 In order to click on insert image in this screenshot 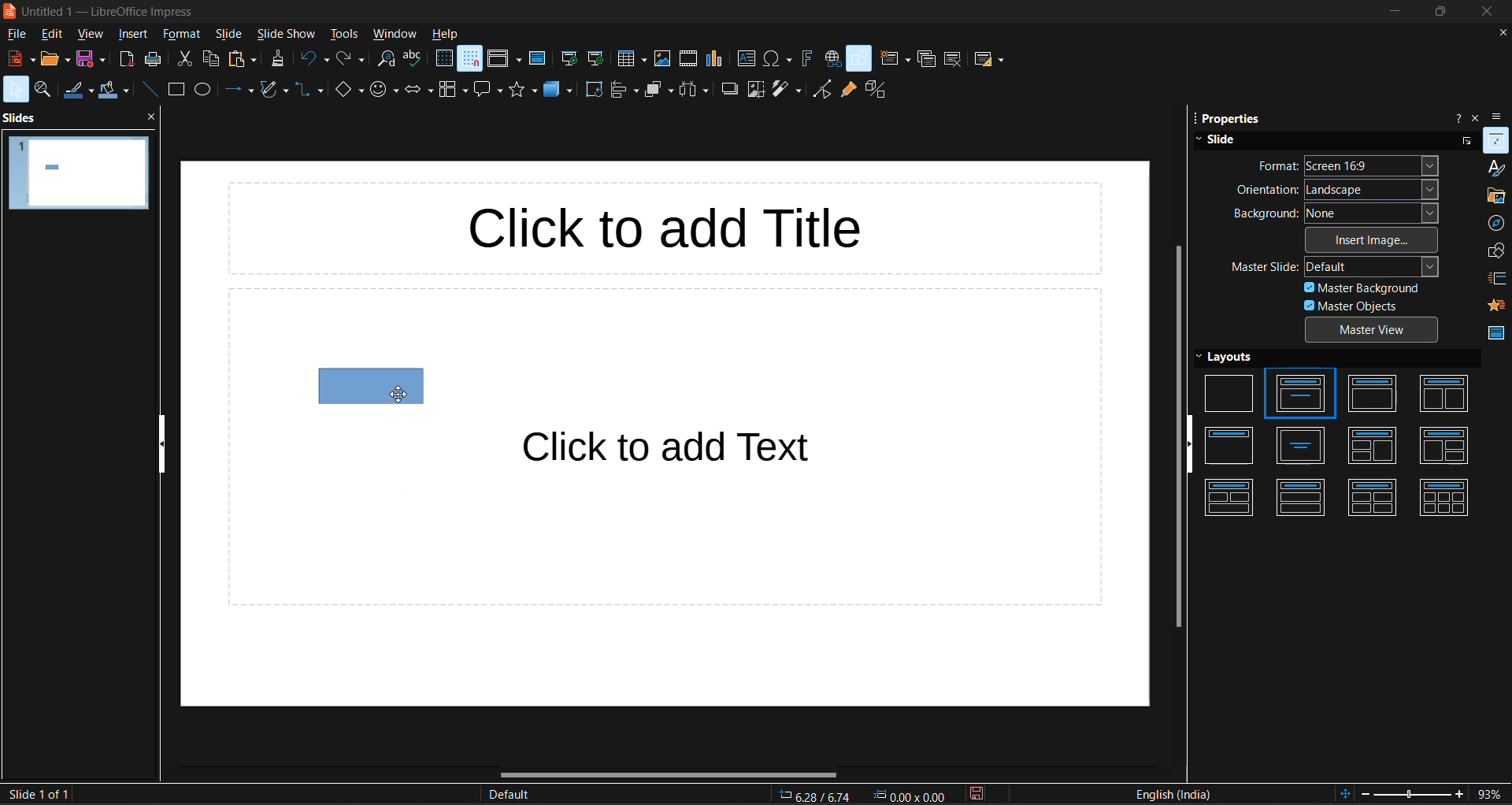, I will do `click(660, 59)`.